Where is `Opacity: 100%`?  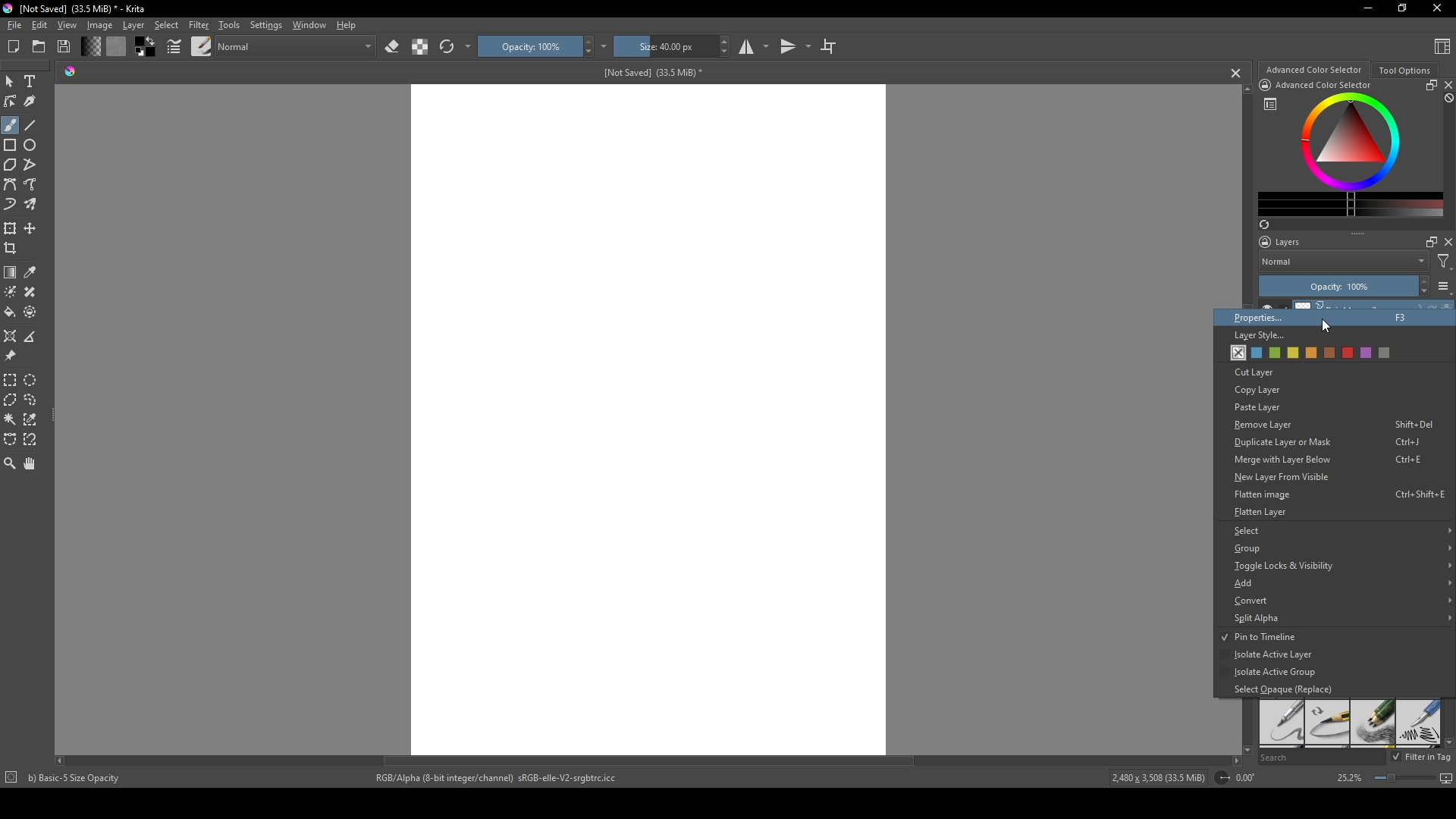 Opacity: 100% is located at coordinates (1335, 287).